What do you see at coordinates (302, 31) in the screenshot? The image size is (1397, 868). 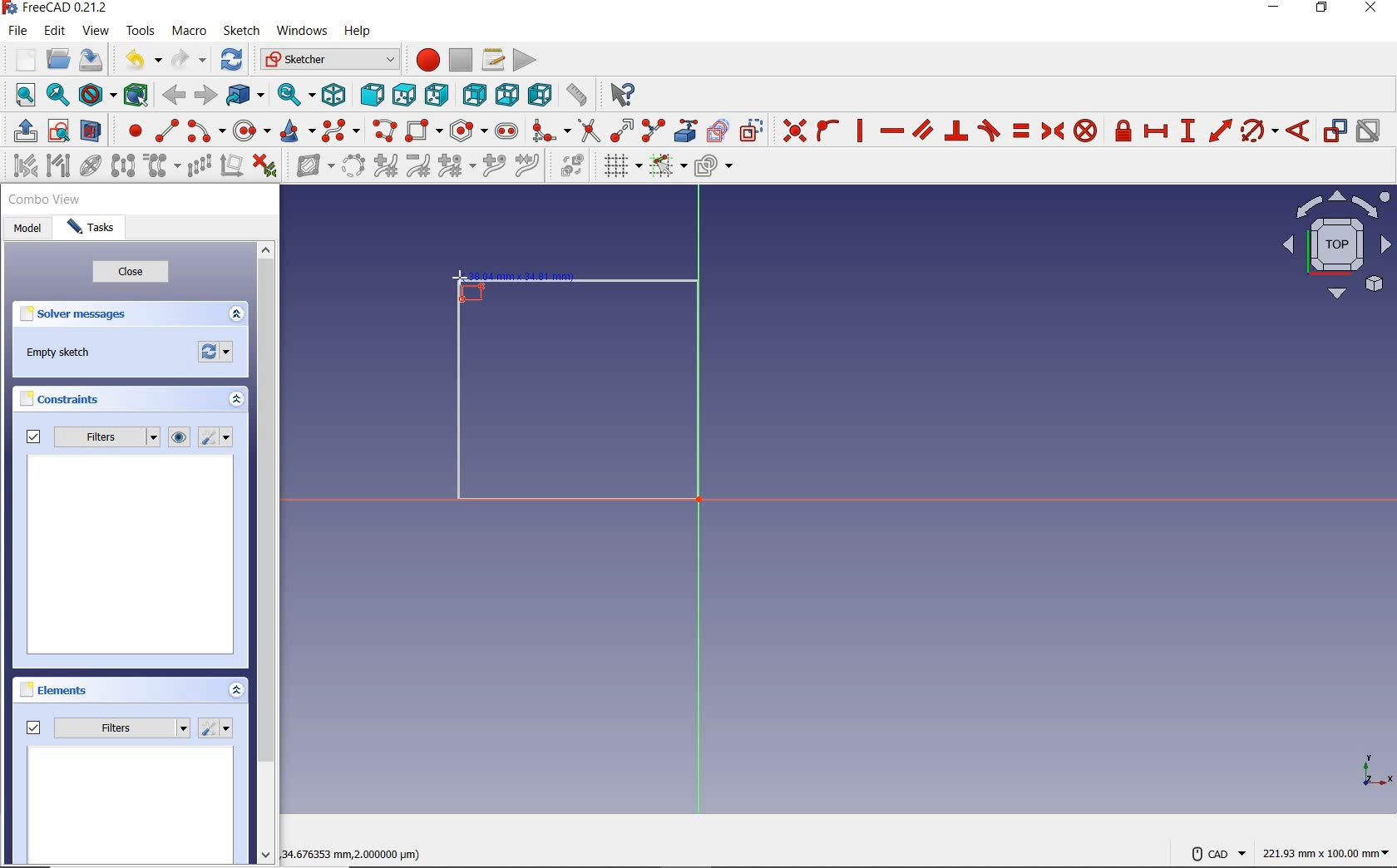 I see `windows` at bounding box center [302, 31].